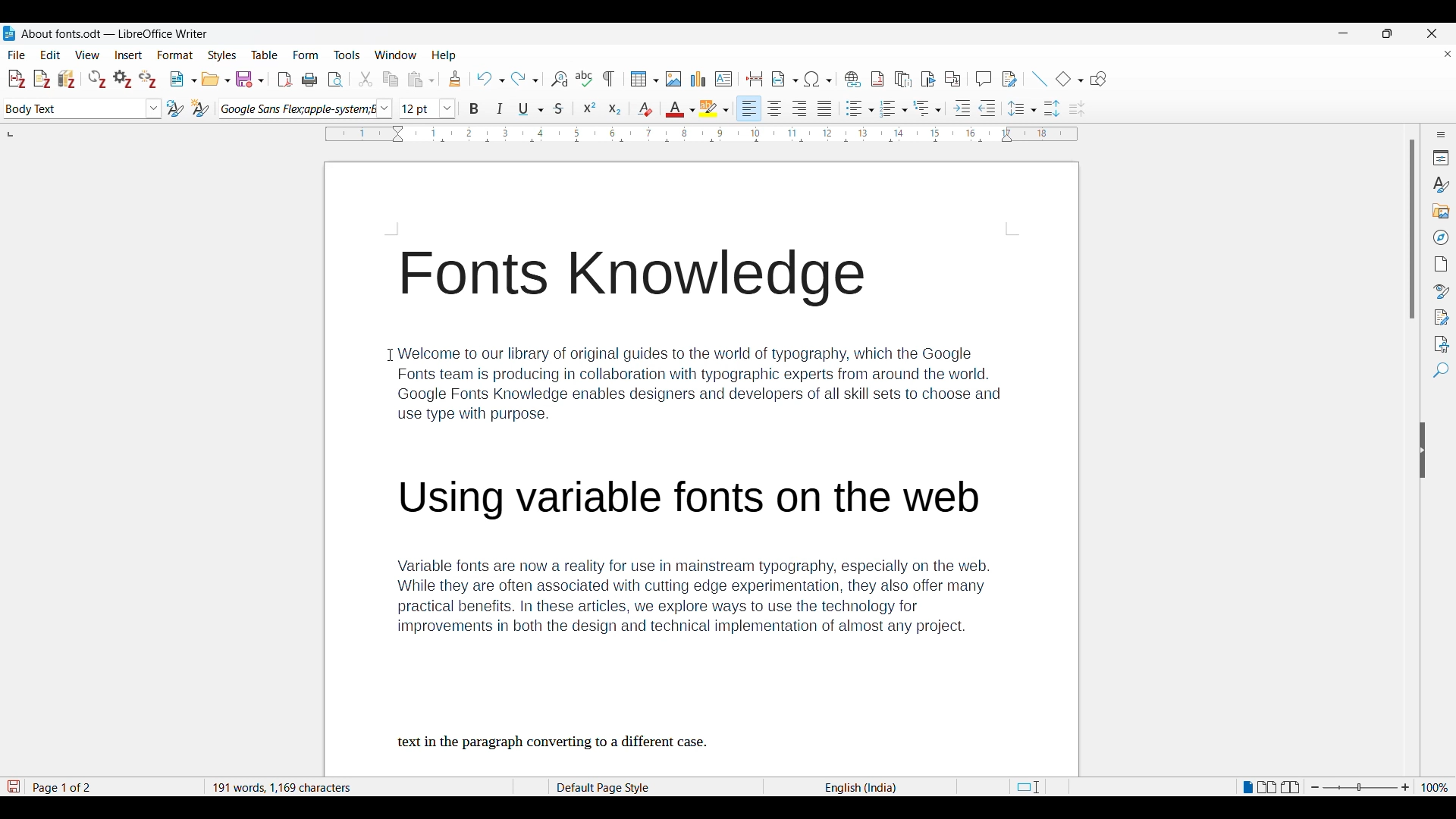  Describe the element at coordinates (723, 79) in the screenshot. I see `Insert text box` at that location.